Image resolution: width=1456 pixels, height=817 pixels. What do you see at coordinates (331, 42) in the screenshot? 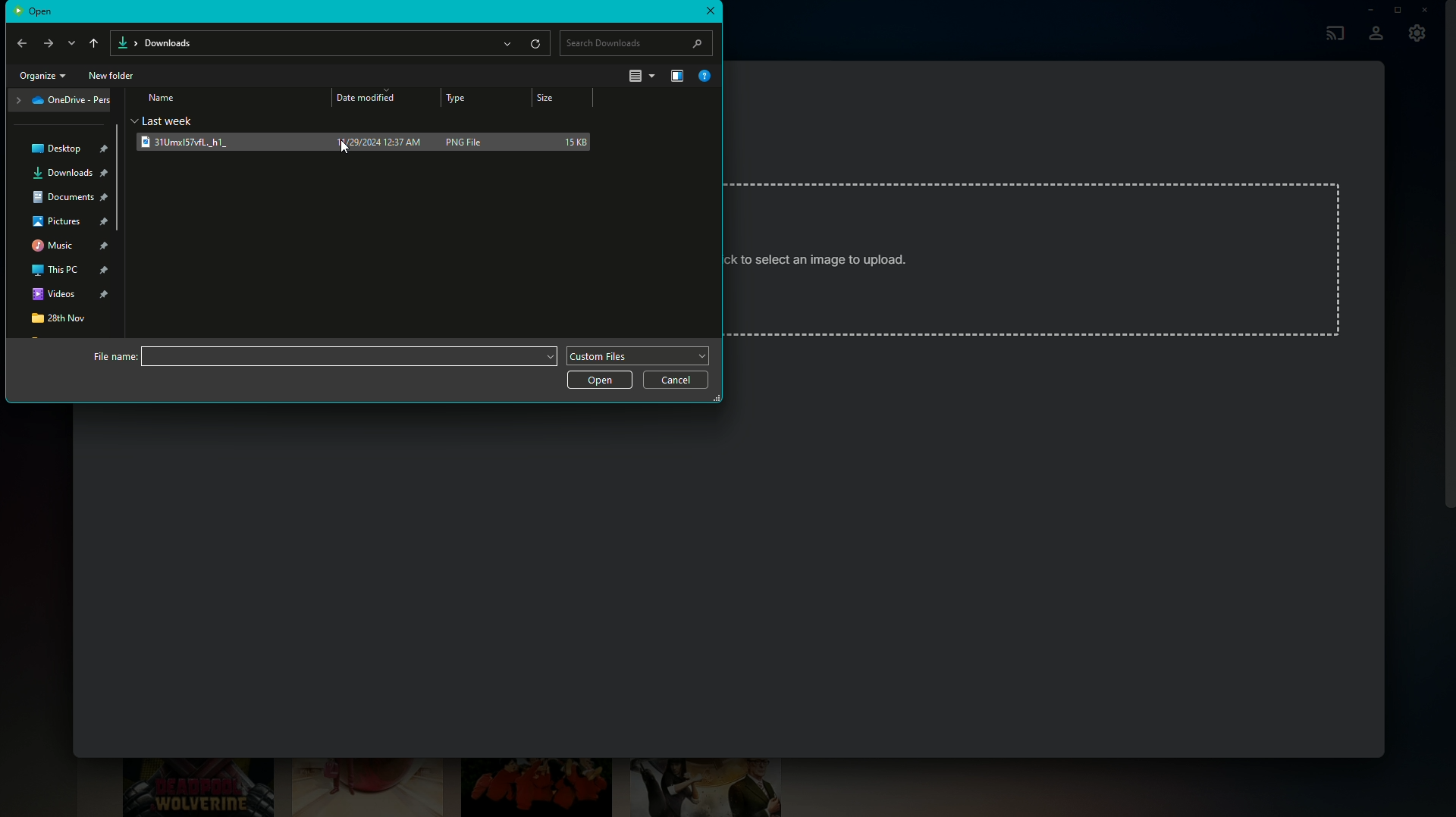
I see `Filepath` at bounding box center [331, 42].